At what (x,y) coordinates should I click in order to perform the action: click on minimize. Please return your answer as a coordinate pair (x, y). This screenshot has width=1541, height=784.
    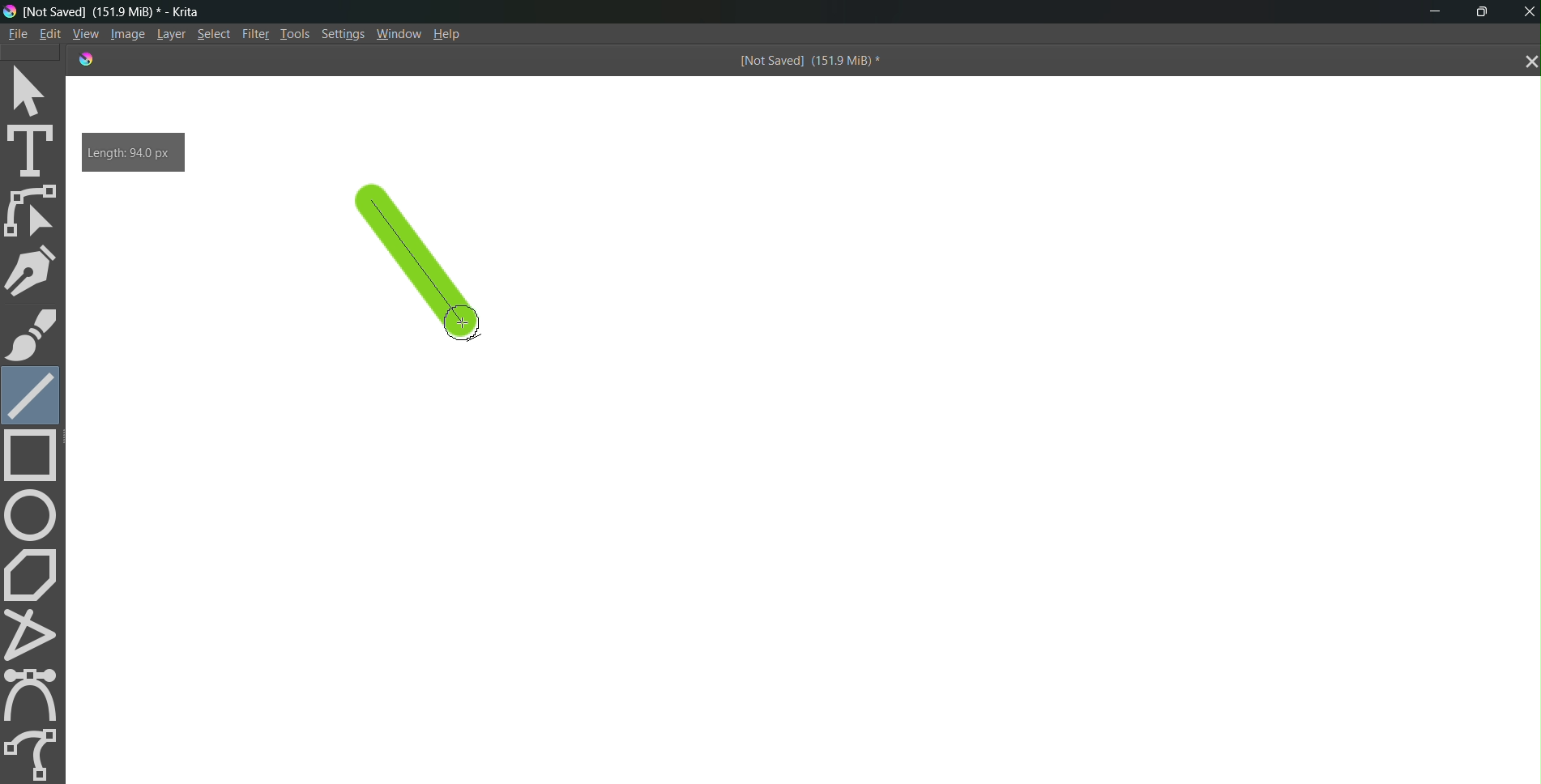
    Looking at the image, I should click on (1429, 13).